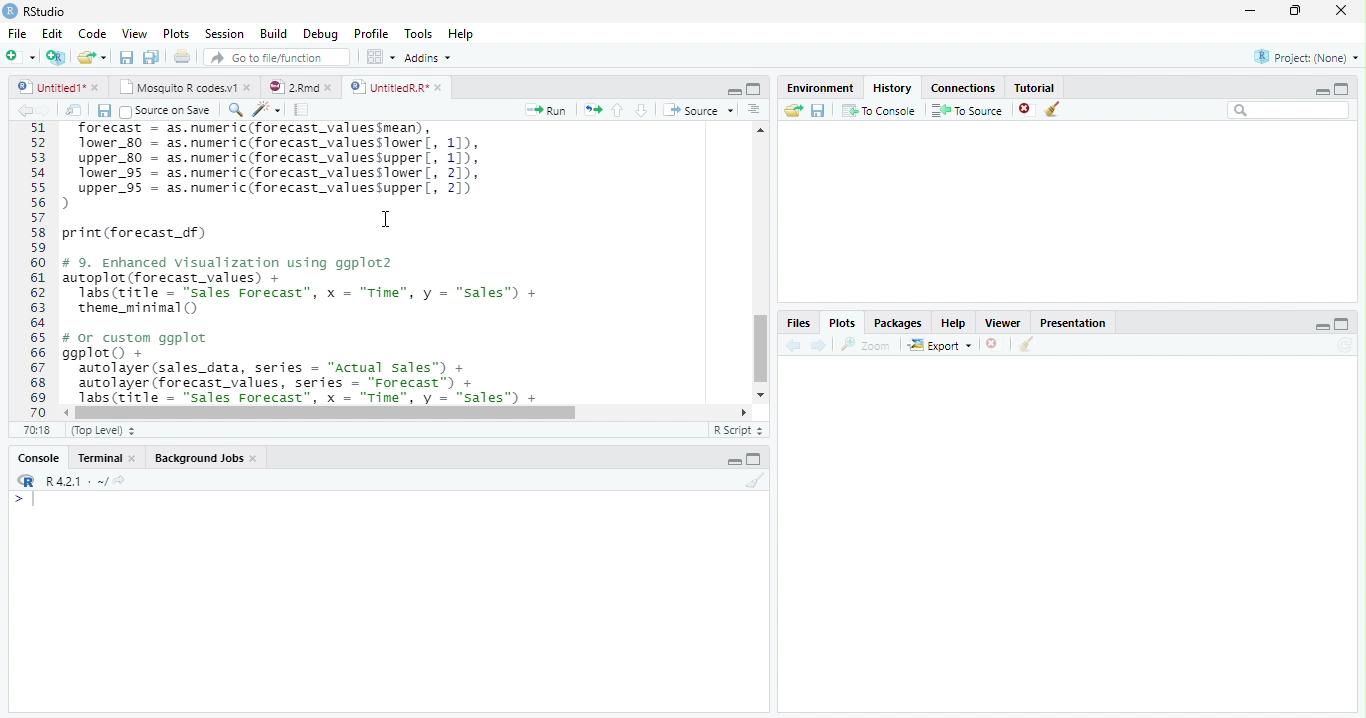  Describe the element at coordinates (403, 86) in the screenshot. I see `UntitledR.R` at that location.